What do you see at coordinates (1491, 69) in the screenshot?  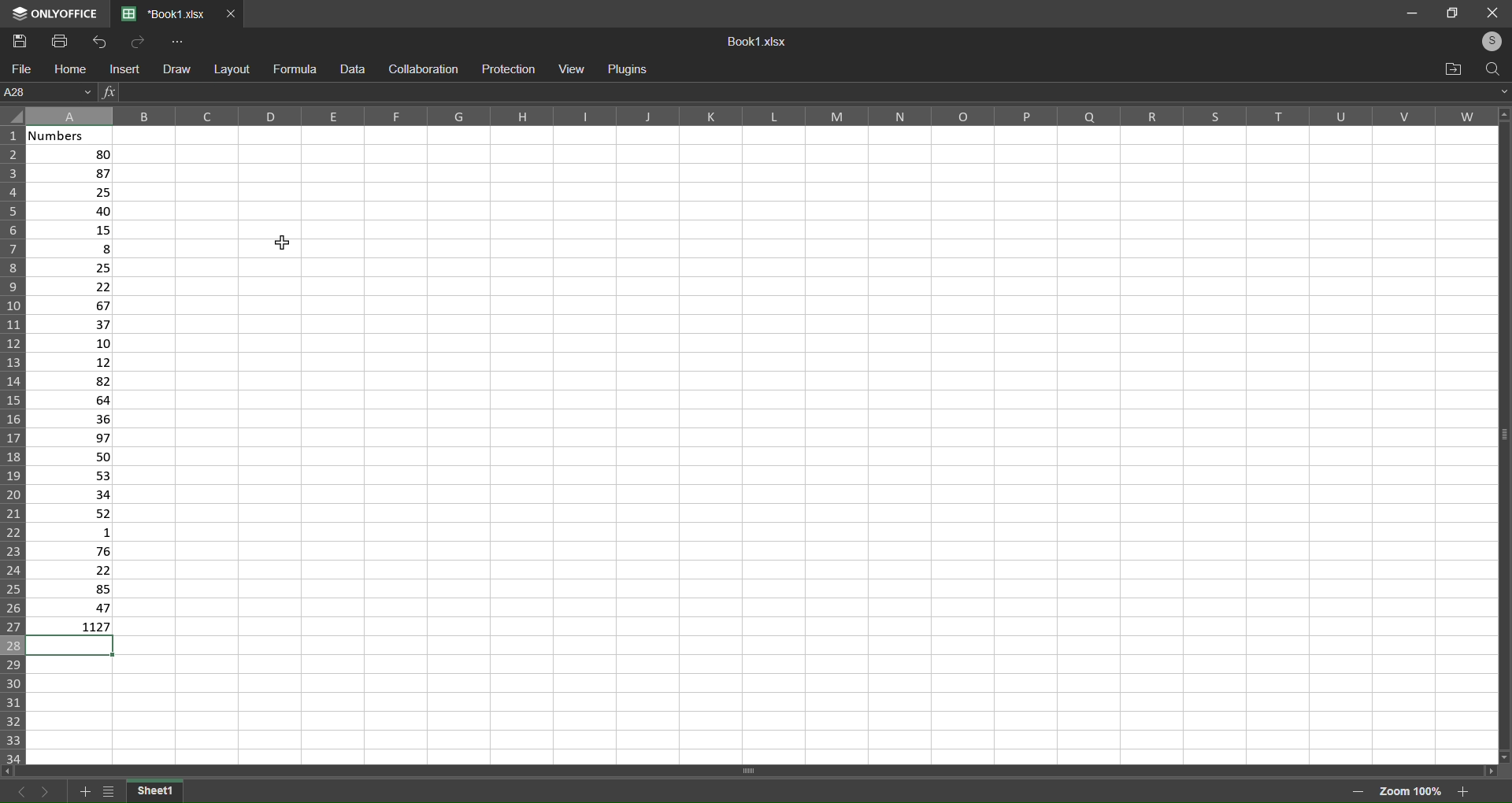 I see `search` at bounding box center [1491, 69].